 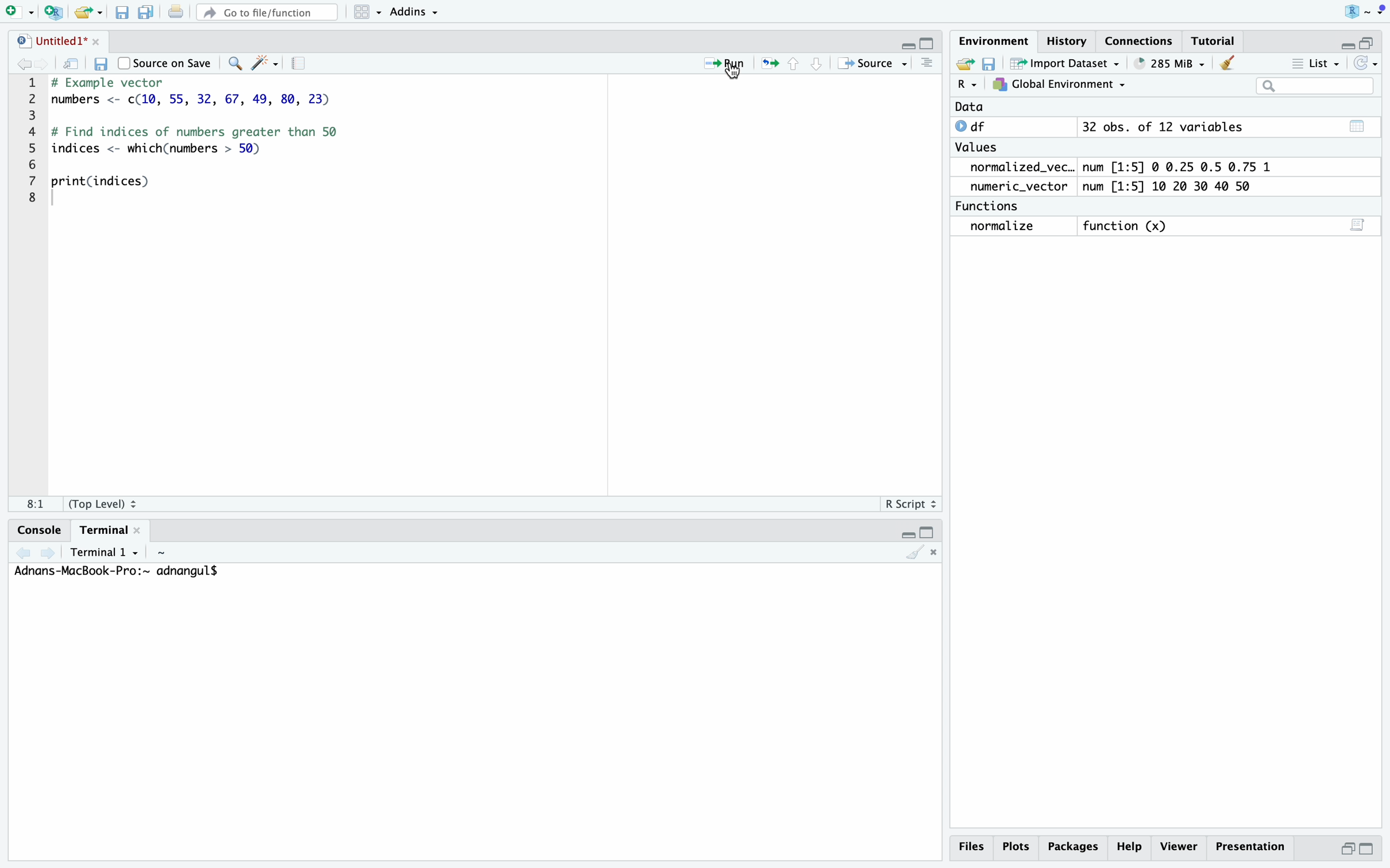 What do you see at coordinates (991, 205) in the screenshot?
I see `Functions` at bounding box center [991, 205].